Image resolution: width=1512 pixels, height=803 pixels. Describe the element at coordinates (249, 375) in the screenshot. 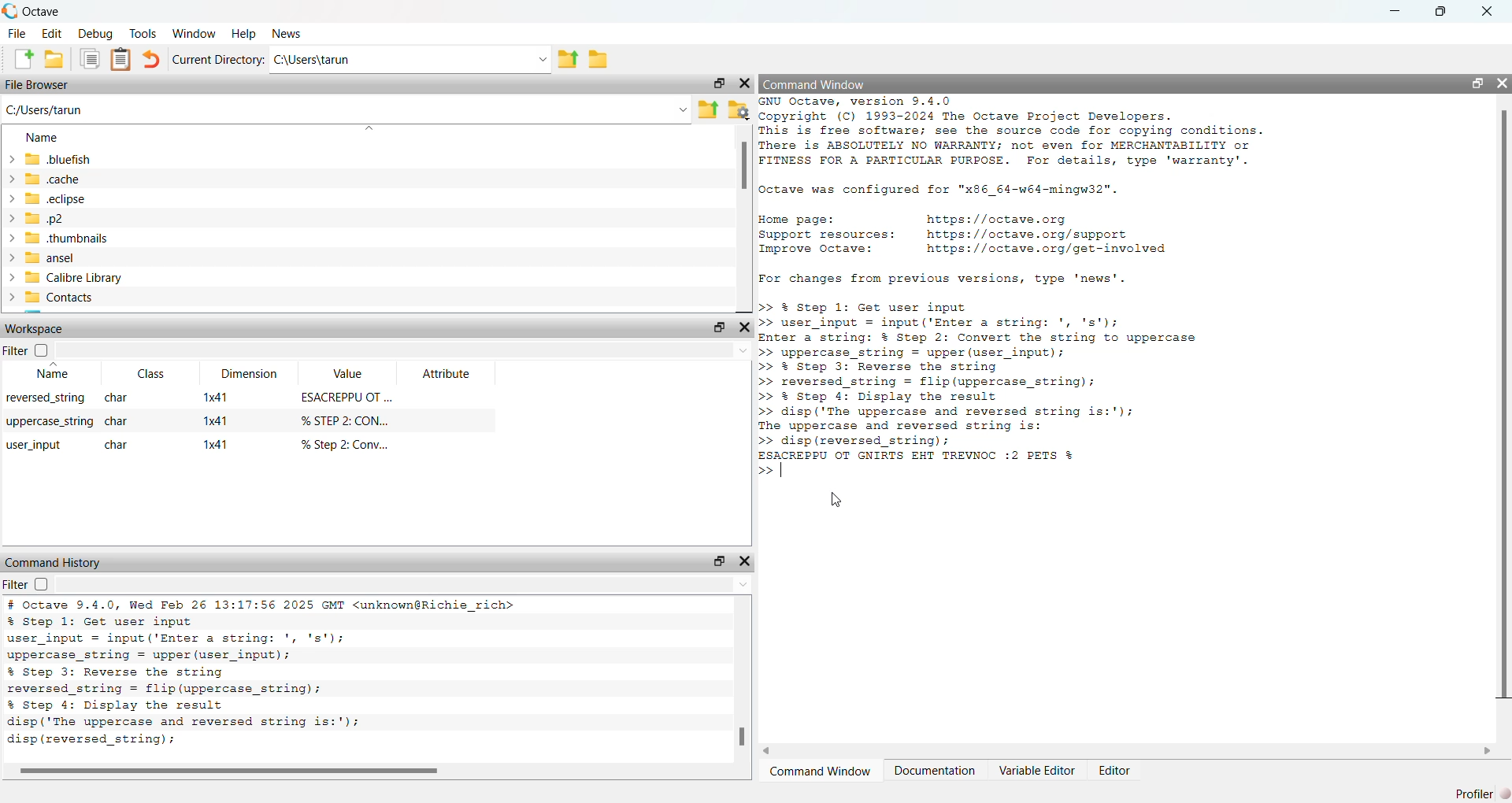

I see `dimension` at that location.